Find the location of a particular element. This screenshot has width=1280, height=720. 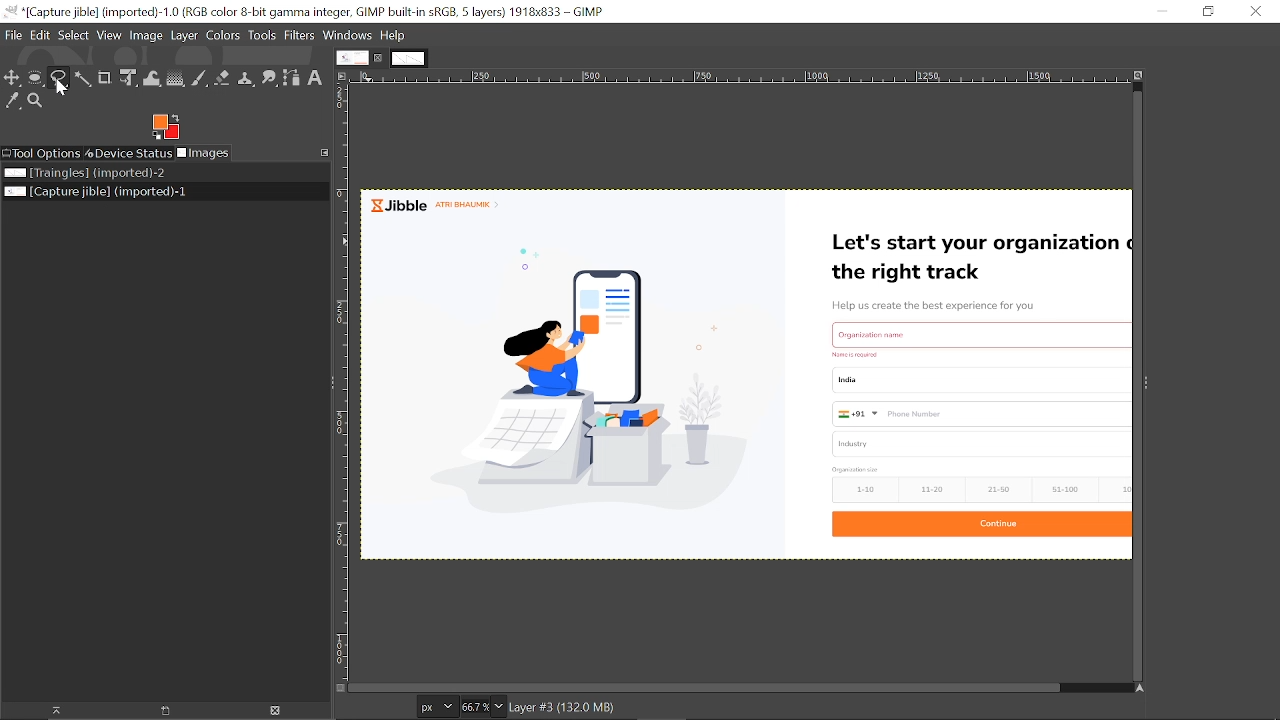

Color picker tool is located at coordinates (12, 101).